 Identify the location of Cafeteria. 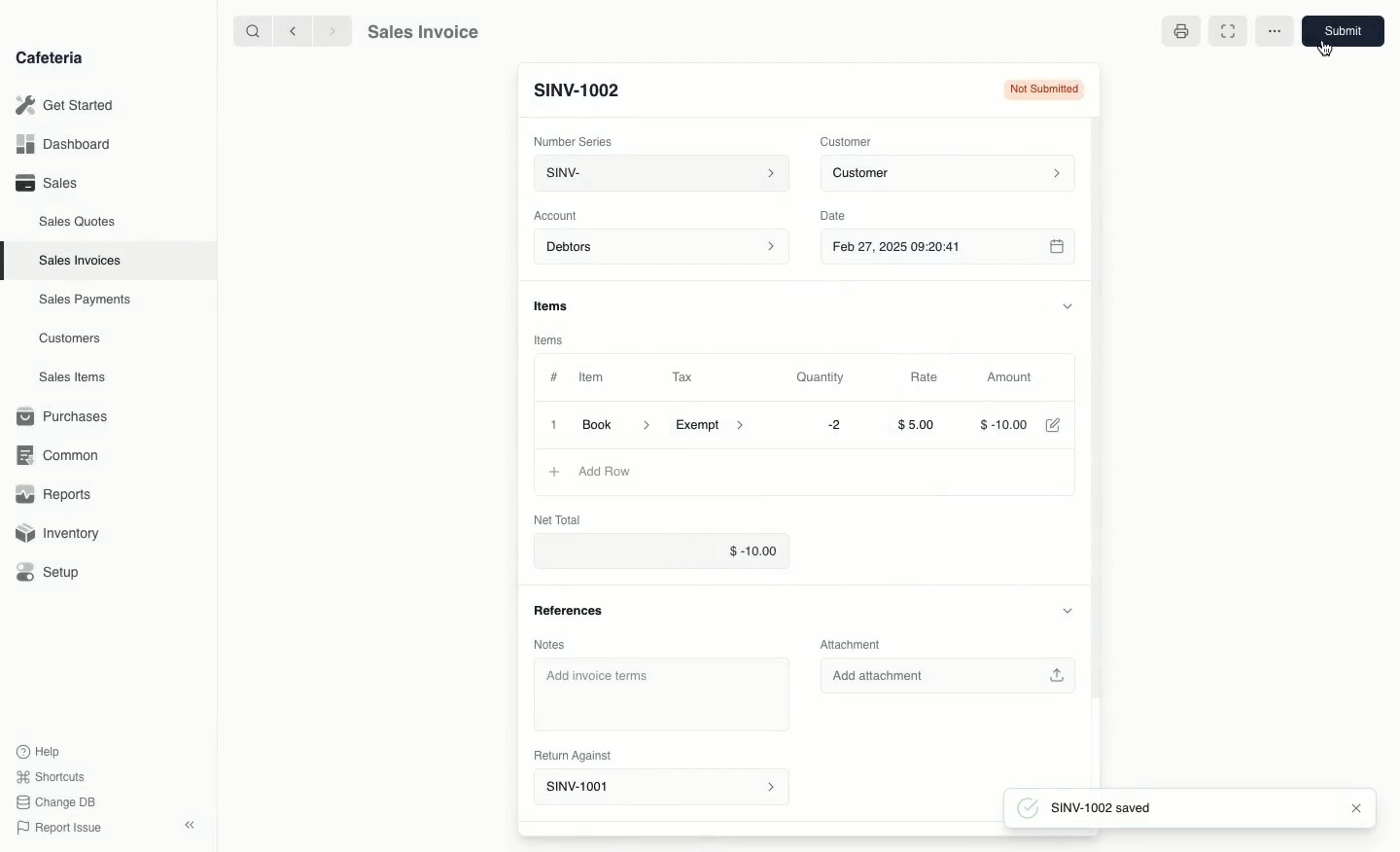
(49, 58).